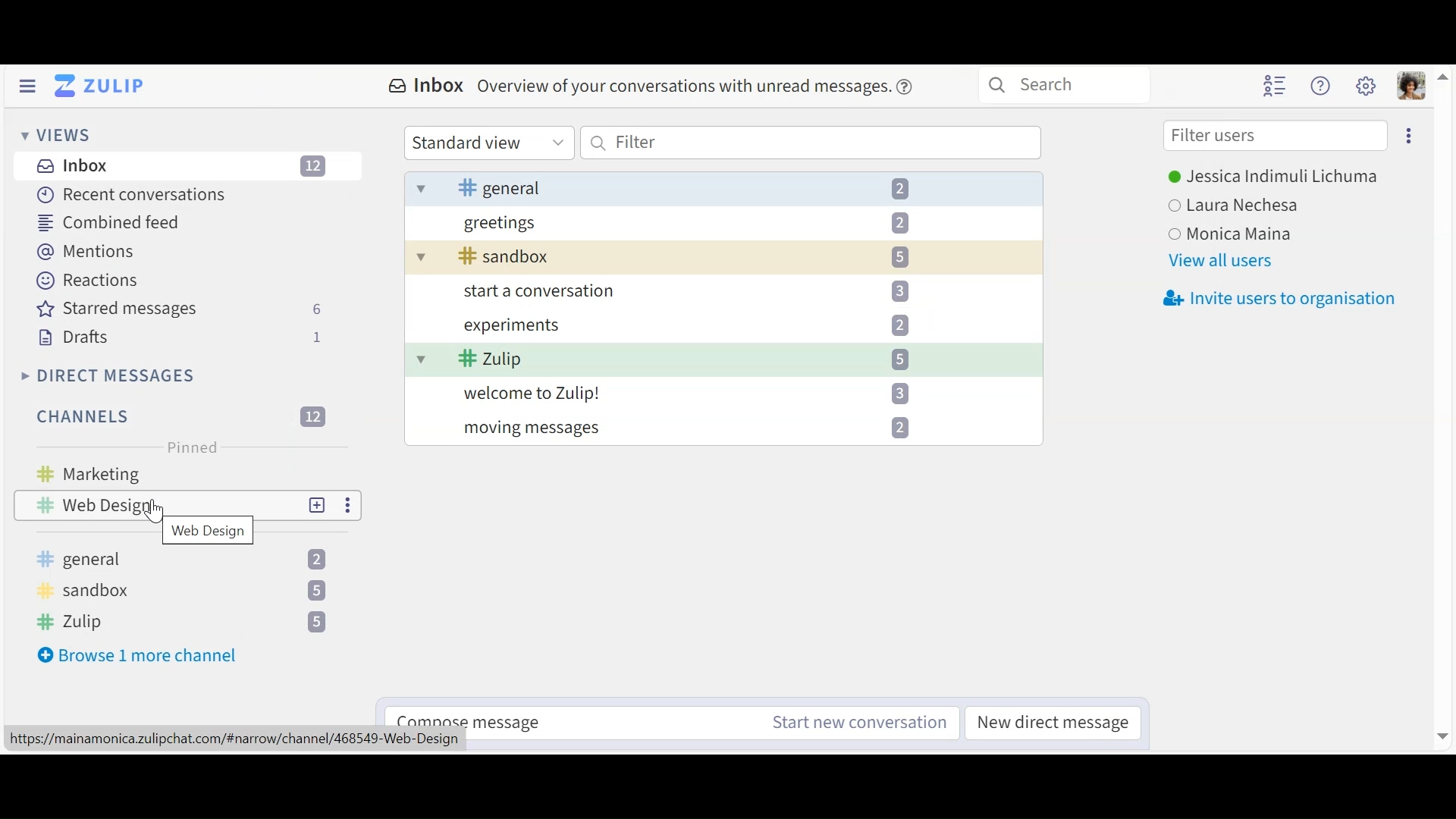 Image resolution: width=1456 pixels, height=819 pixels. Describe the element at coordinates (194, 554) in the screenshot. I see `general` at that location.